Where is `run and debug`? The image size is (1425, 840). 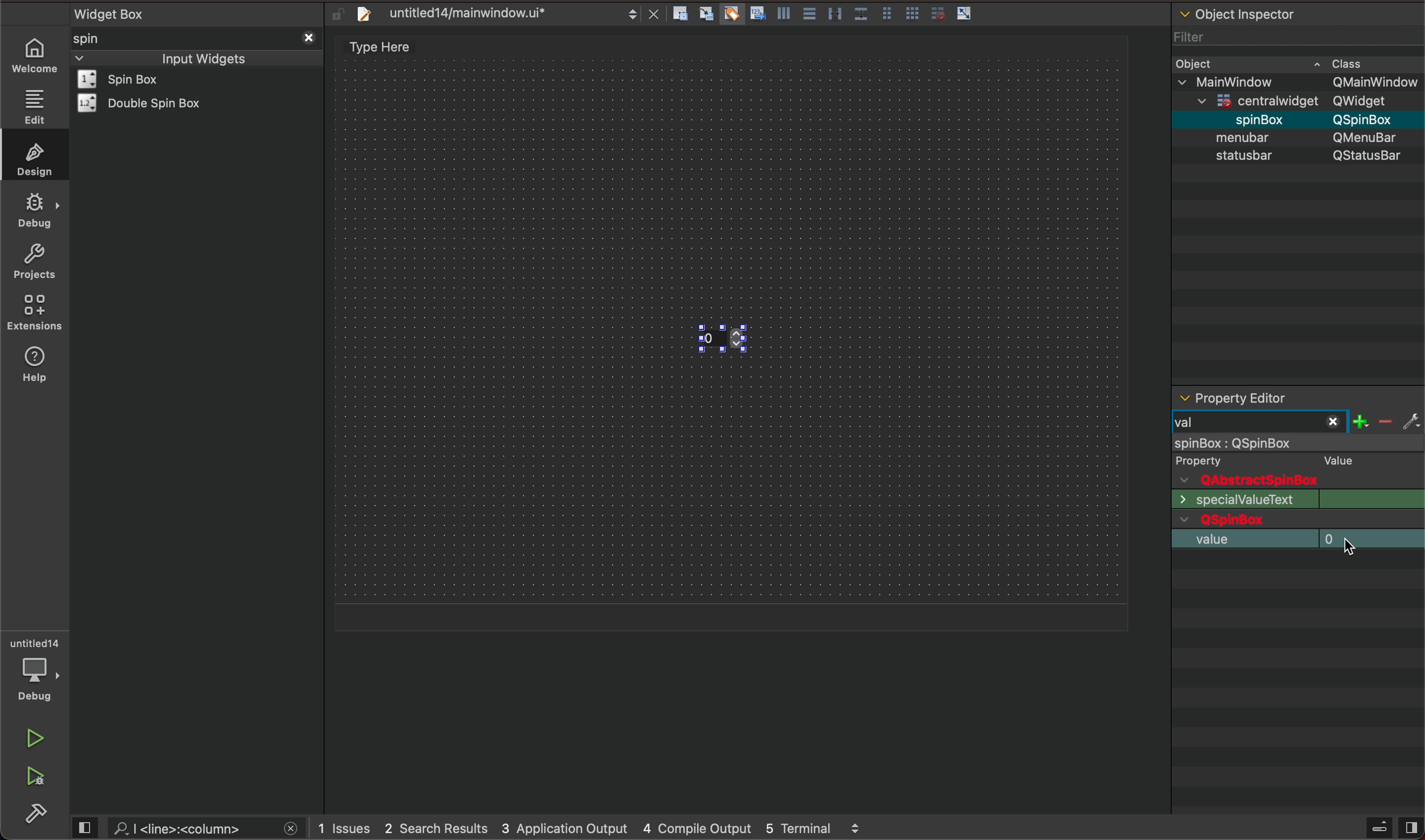 run and debug is located at coordinates (37, 779).